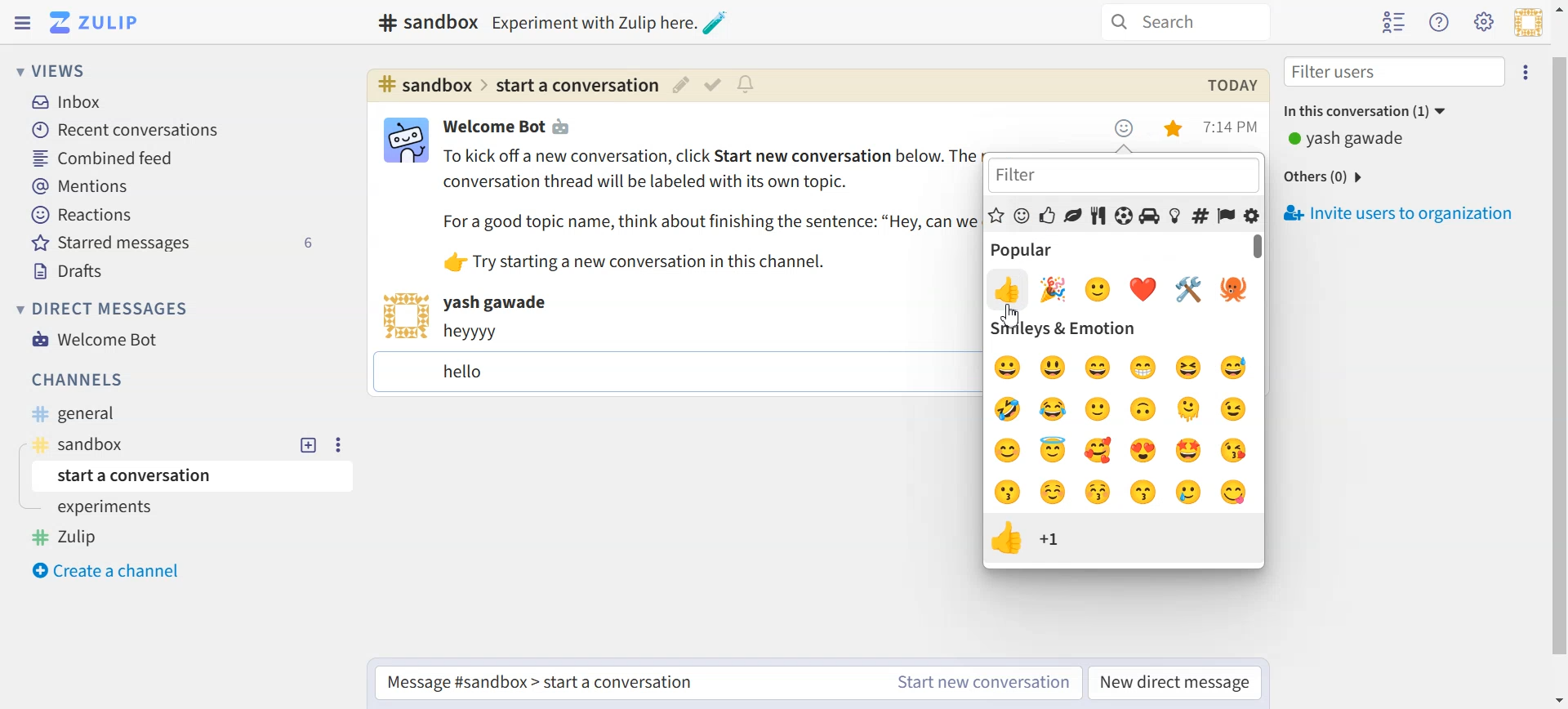 This screenshot has width=1568, height=709. Describe the element at coordinates (1125, 175) in the screenshot. I see `Filter` at that location.